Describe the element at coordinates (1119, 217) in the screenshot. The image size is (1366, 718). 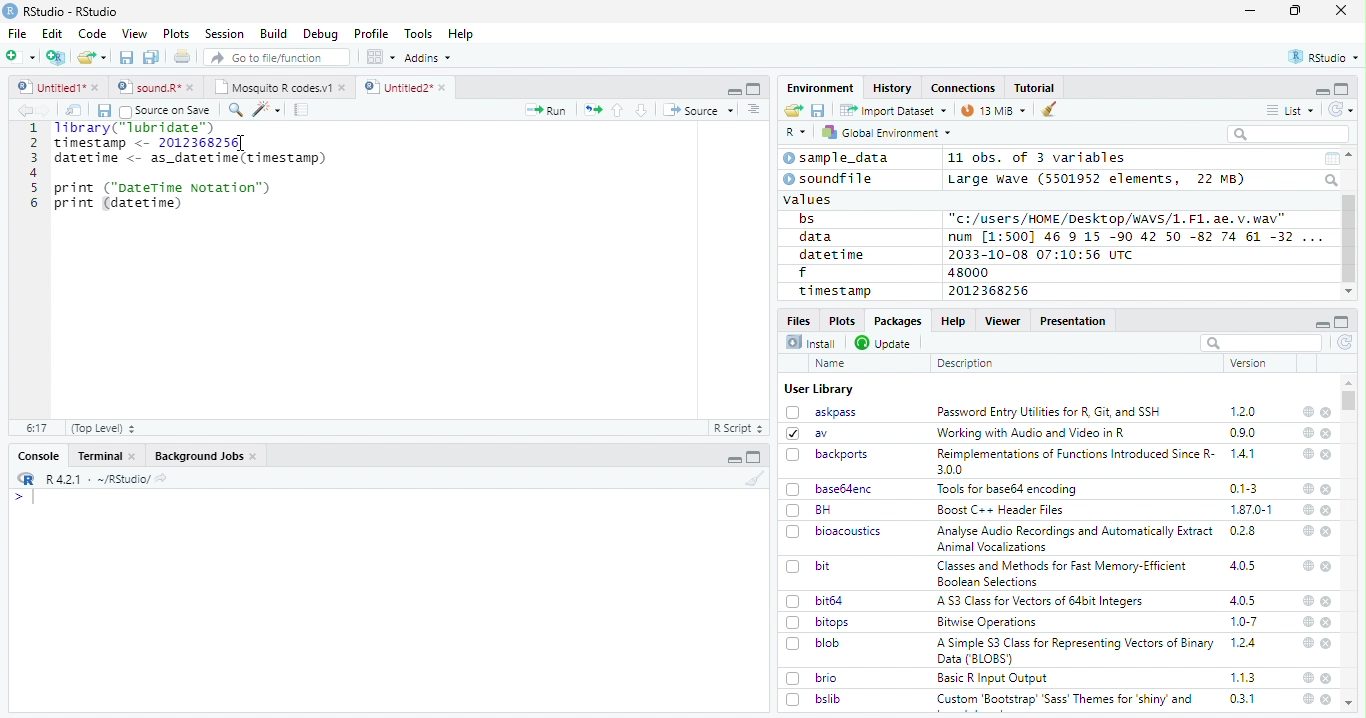
I see `"c:/users/HOME /Desktop/wWAVS/1.F1, ae. v.wav"` at that location.